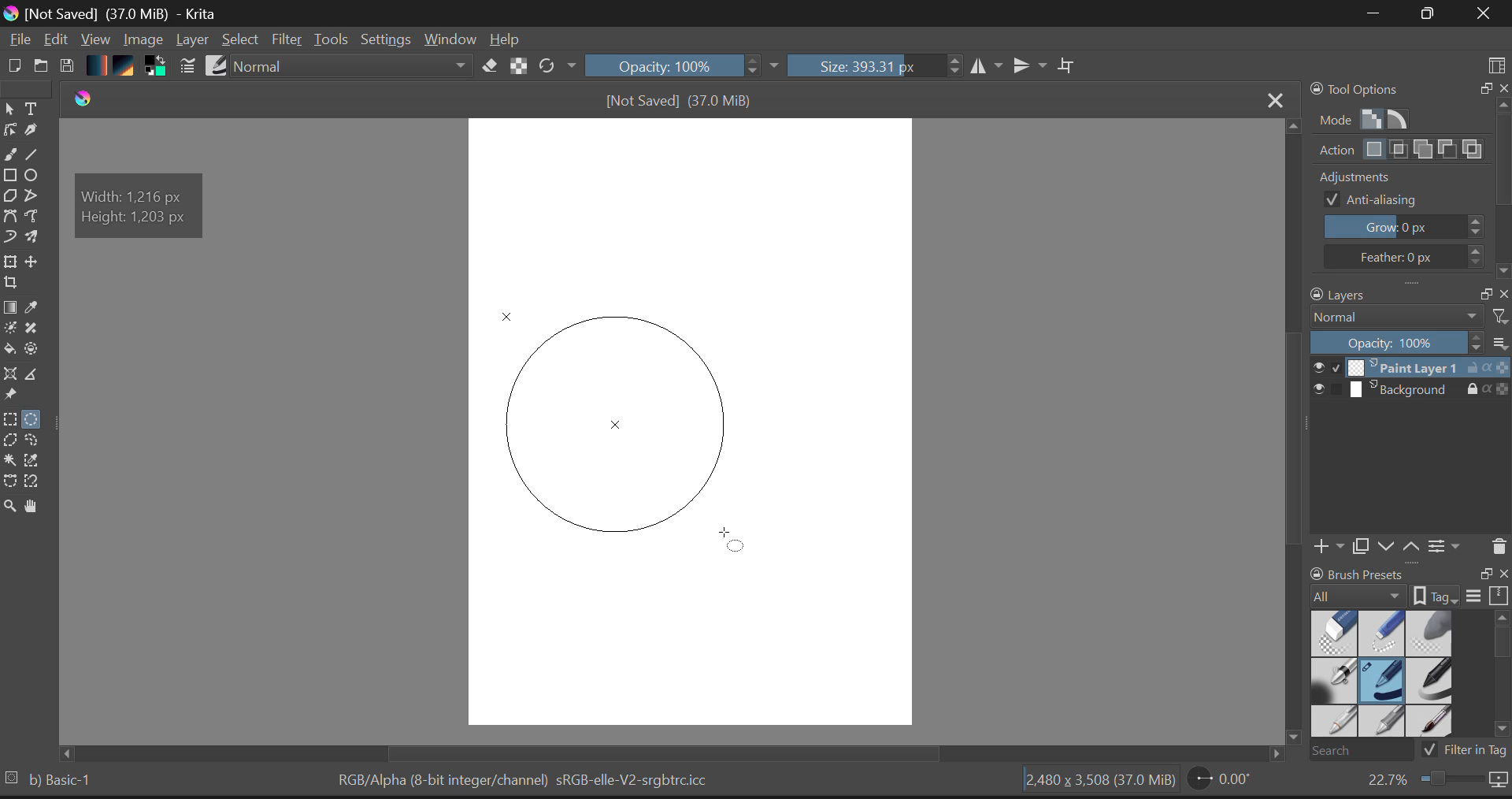 Image resolution: width=1512 pixels, height=799 pixels. I want to click on Close, so click(1271, 98).